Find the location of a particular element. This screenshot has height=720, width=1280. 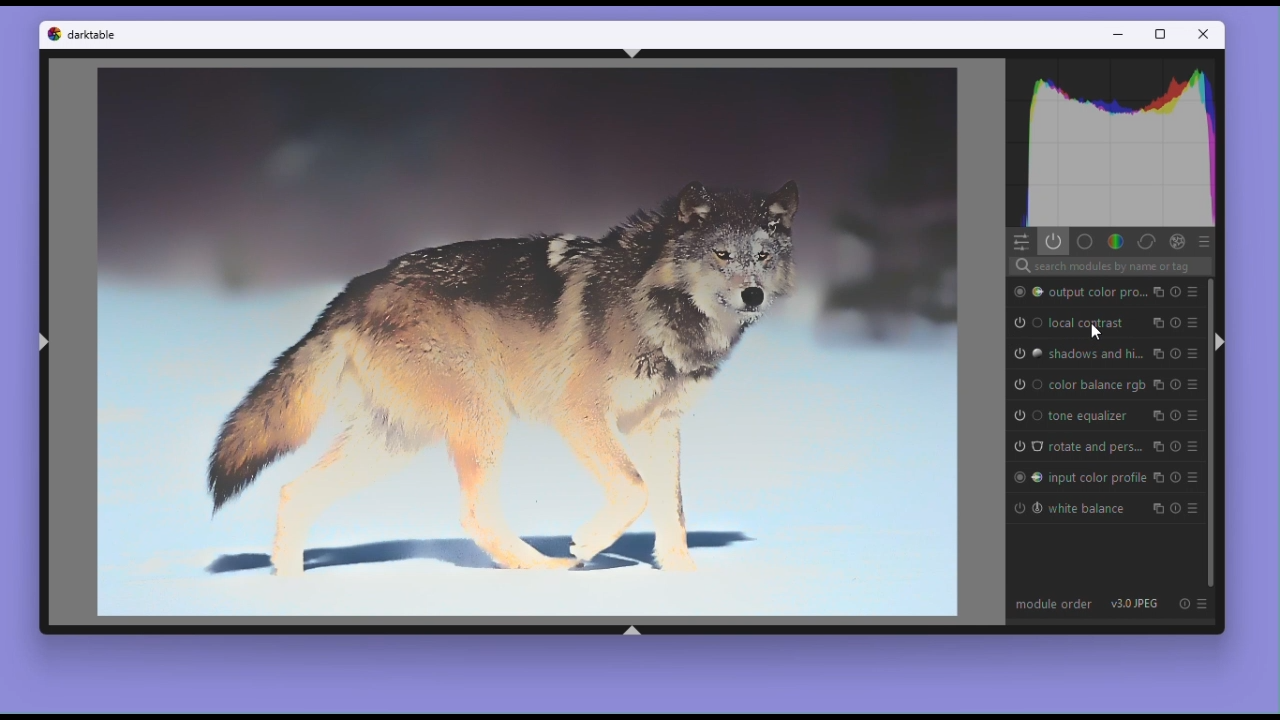

'white balance' is switched on is located at coordinates (1027, 509).